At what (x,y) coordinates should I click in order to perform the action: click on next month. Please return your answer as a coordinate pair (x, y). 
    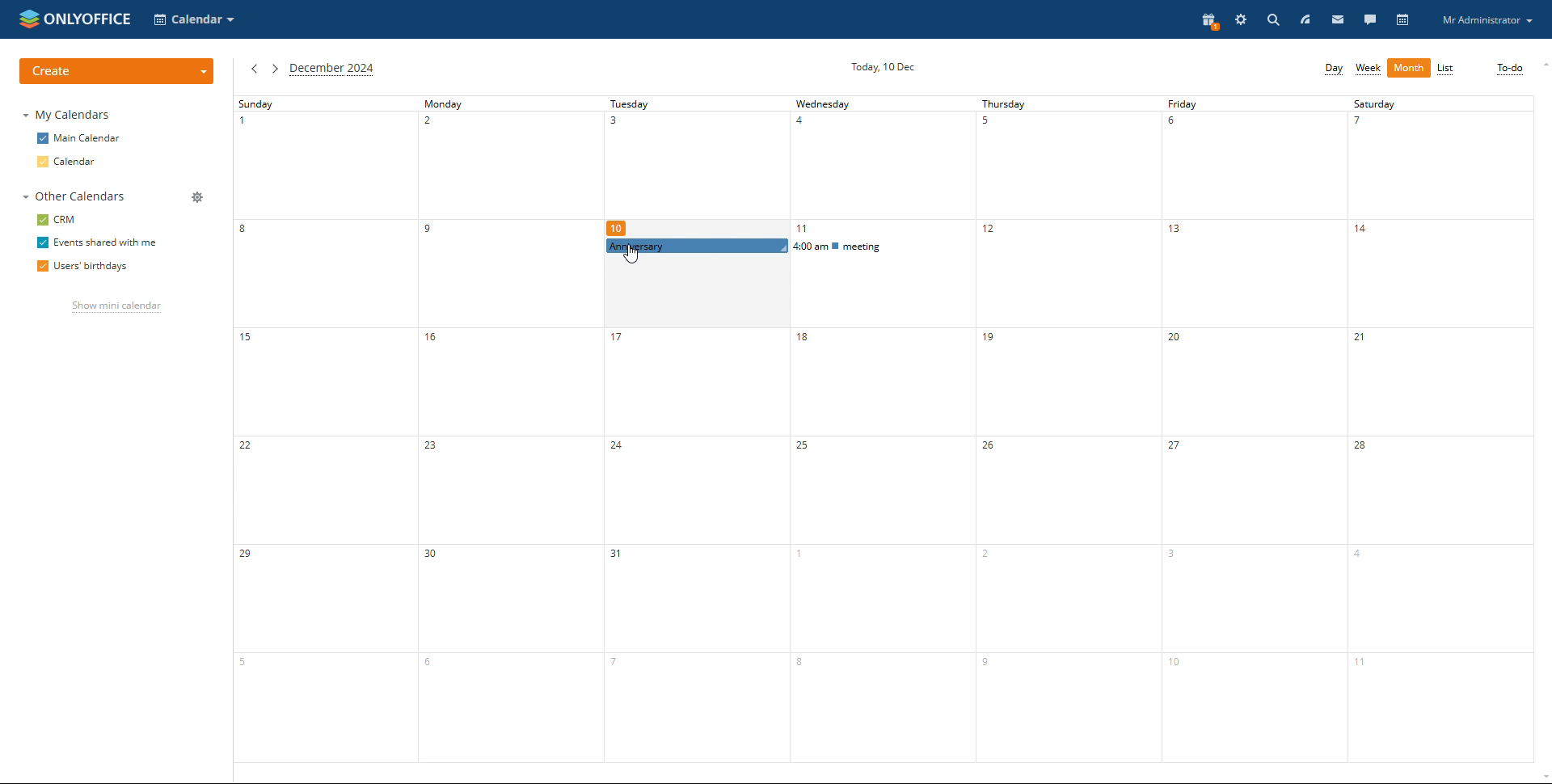
    Looking at the image, I should click on (274, 69).